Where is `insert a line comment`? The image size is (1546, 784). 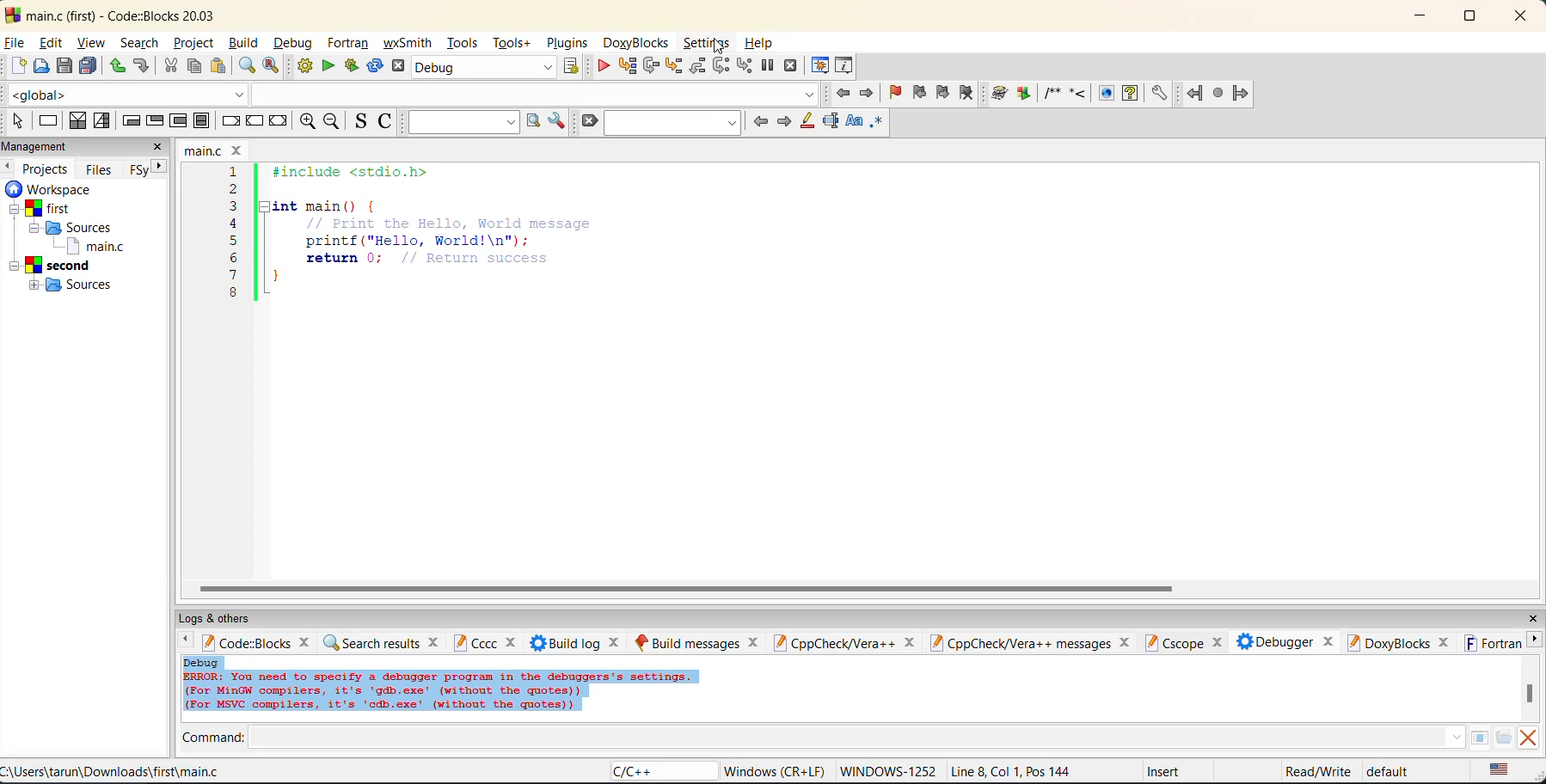
insert a line comment is located at coordinates (1077, 94).